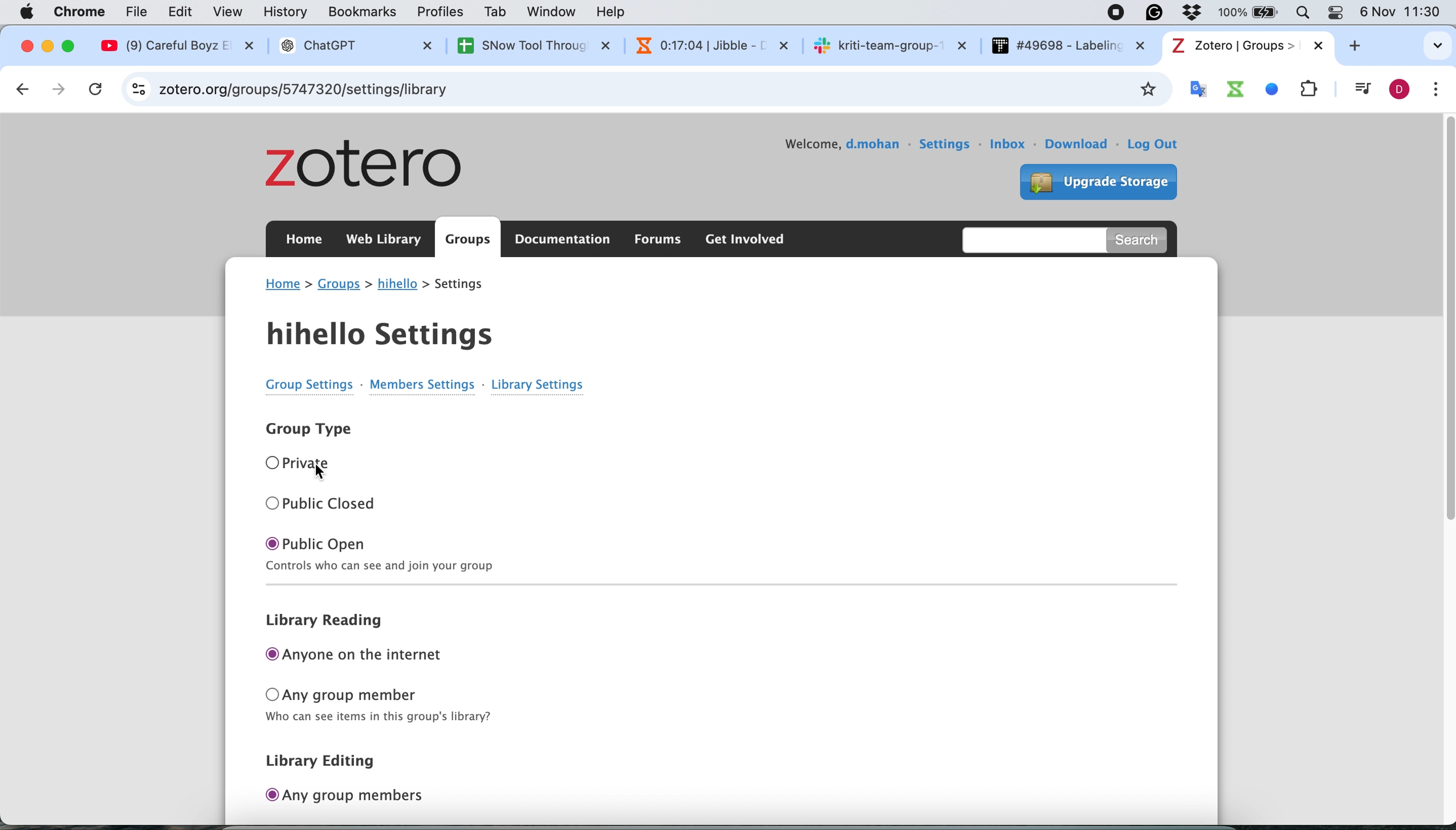 The height and width of the screenshot is (830, 1456). What do you see at coordinates (295, 385) in the screenshot?
I see `Group Settings` at bounding box center [295, 385].